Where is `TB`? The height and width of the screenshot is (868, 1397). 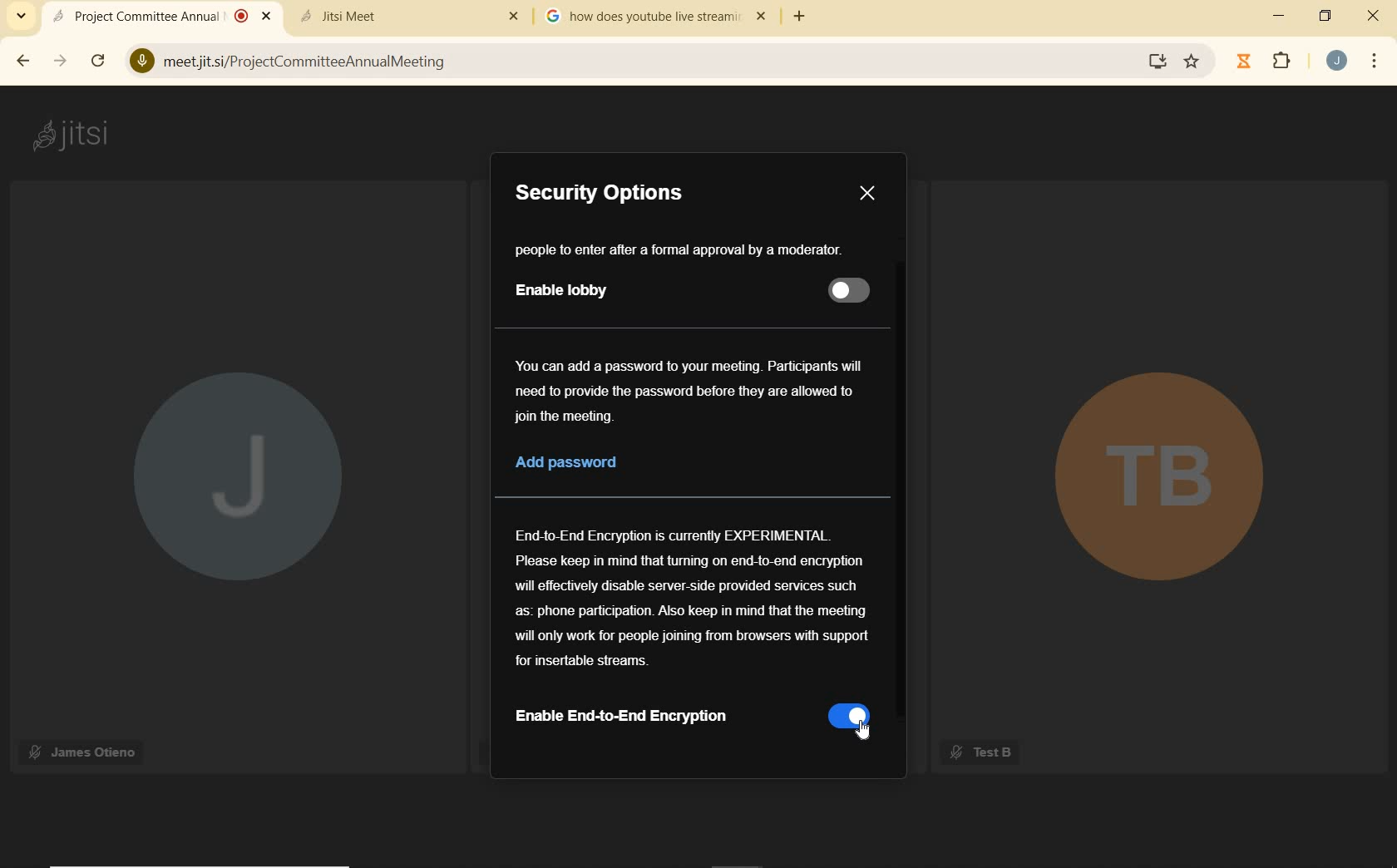 TB is located at coordinates (1153, 484).